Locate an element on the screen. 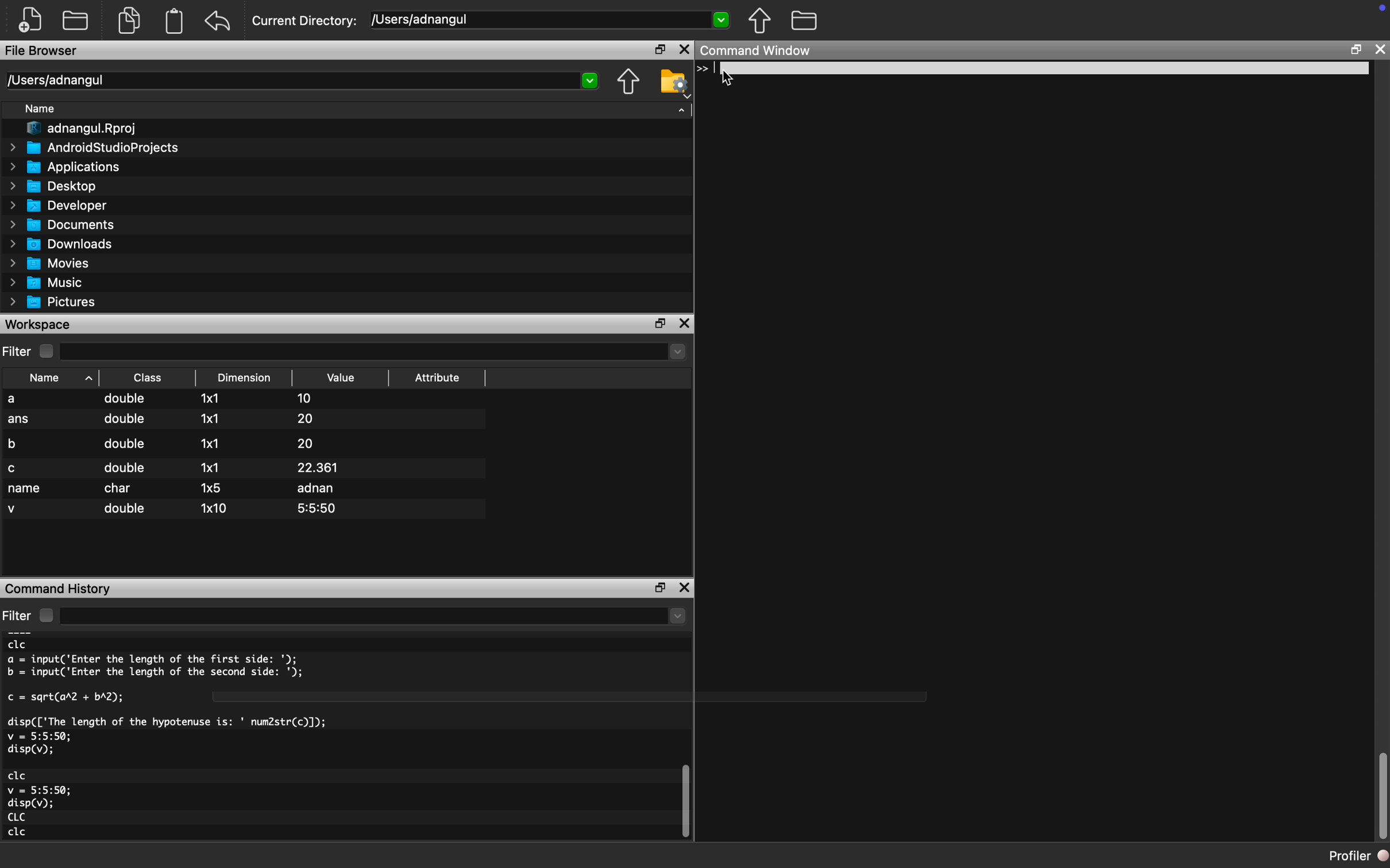 Image resolution: width=1390 pixels, height=868 pixels. Restore is located at coordinates (1356, 49).